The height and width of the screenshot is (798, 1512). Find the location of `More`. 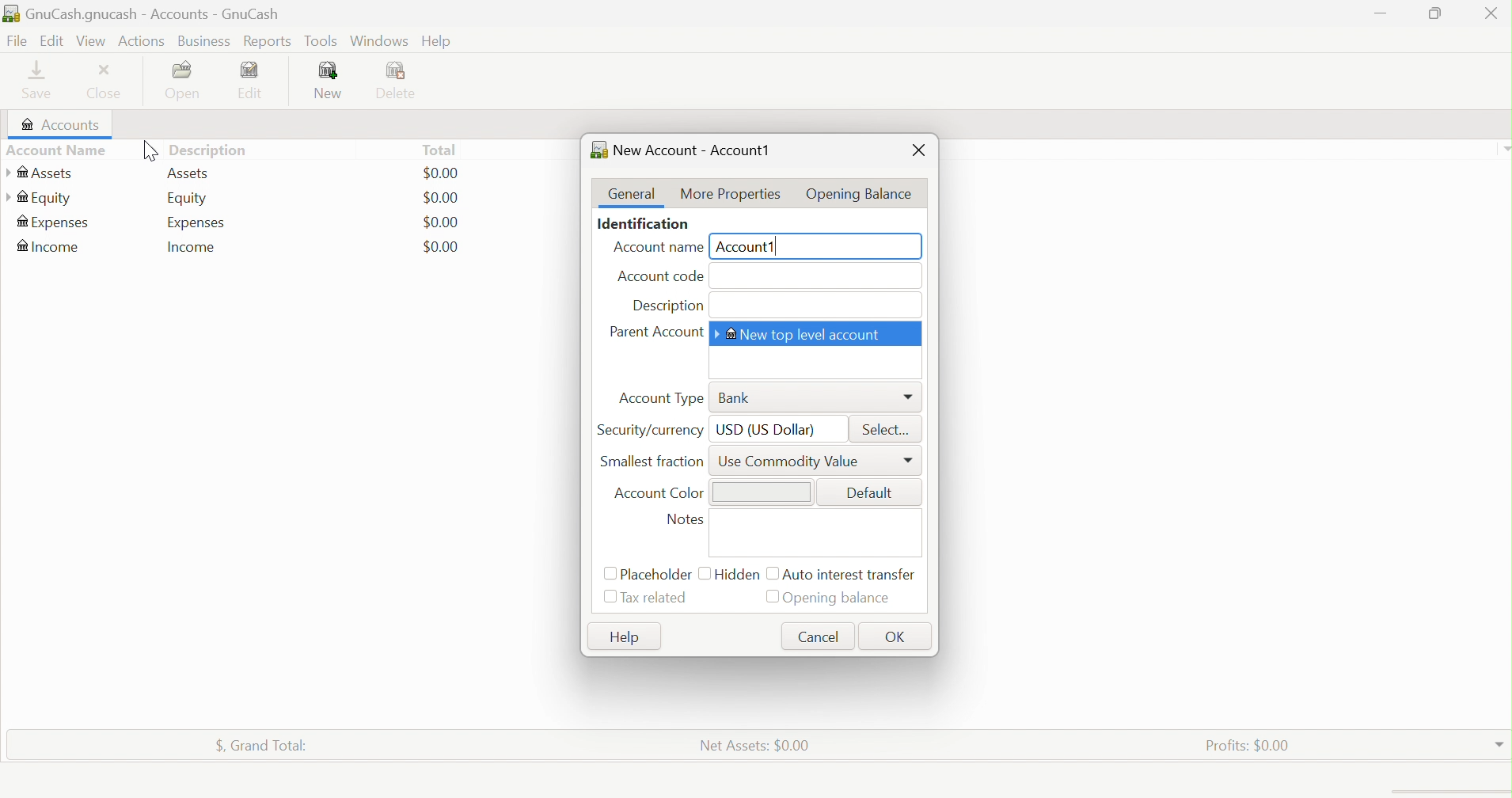

More is located at coordinates (910, 462).